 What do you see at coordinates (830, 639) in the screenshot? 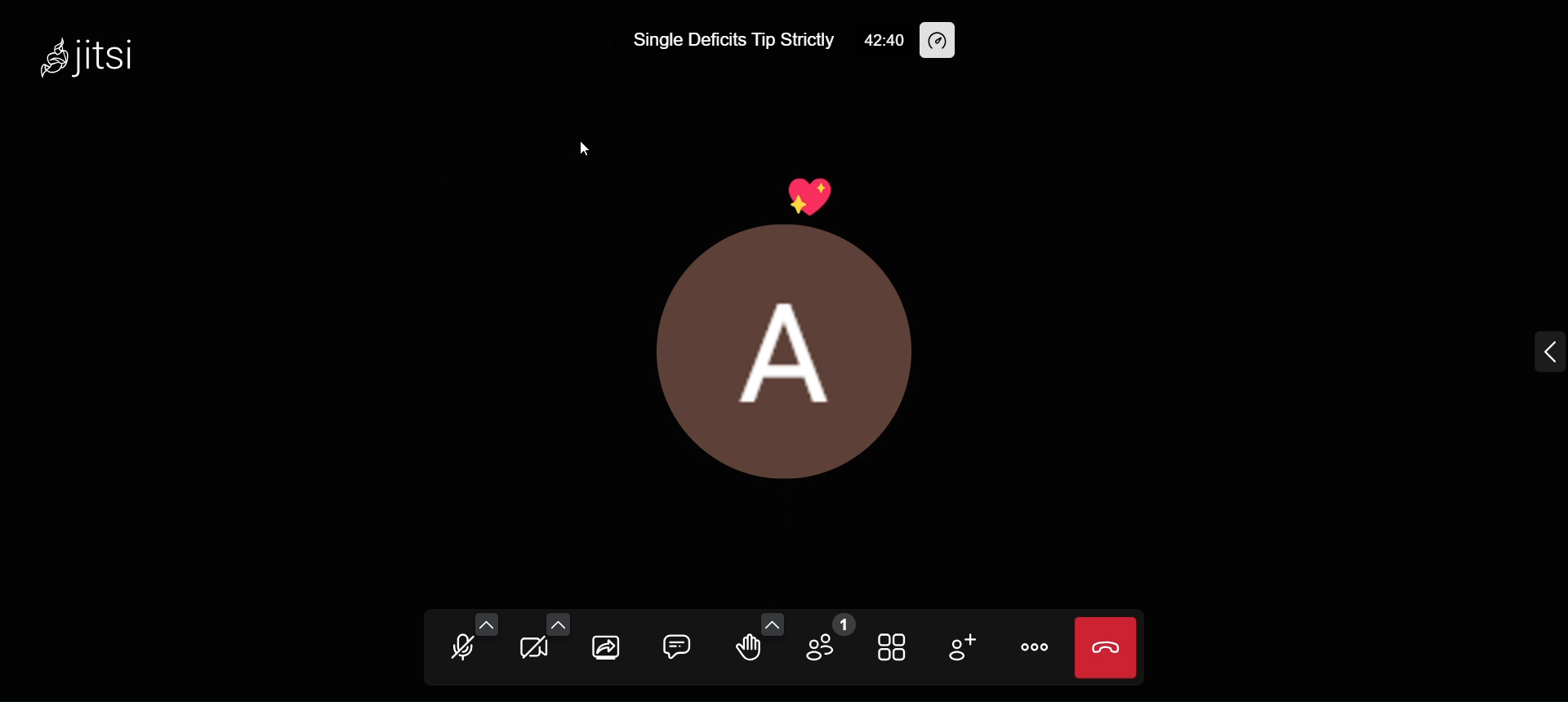
I see `participants` at bounding box center [830, 639].